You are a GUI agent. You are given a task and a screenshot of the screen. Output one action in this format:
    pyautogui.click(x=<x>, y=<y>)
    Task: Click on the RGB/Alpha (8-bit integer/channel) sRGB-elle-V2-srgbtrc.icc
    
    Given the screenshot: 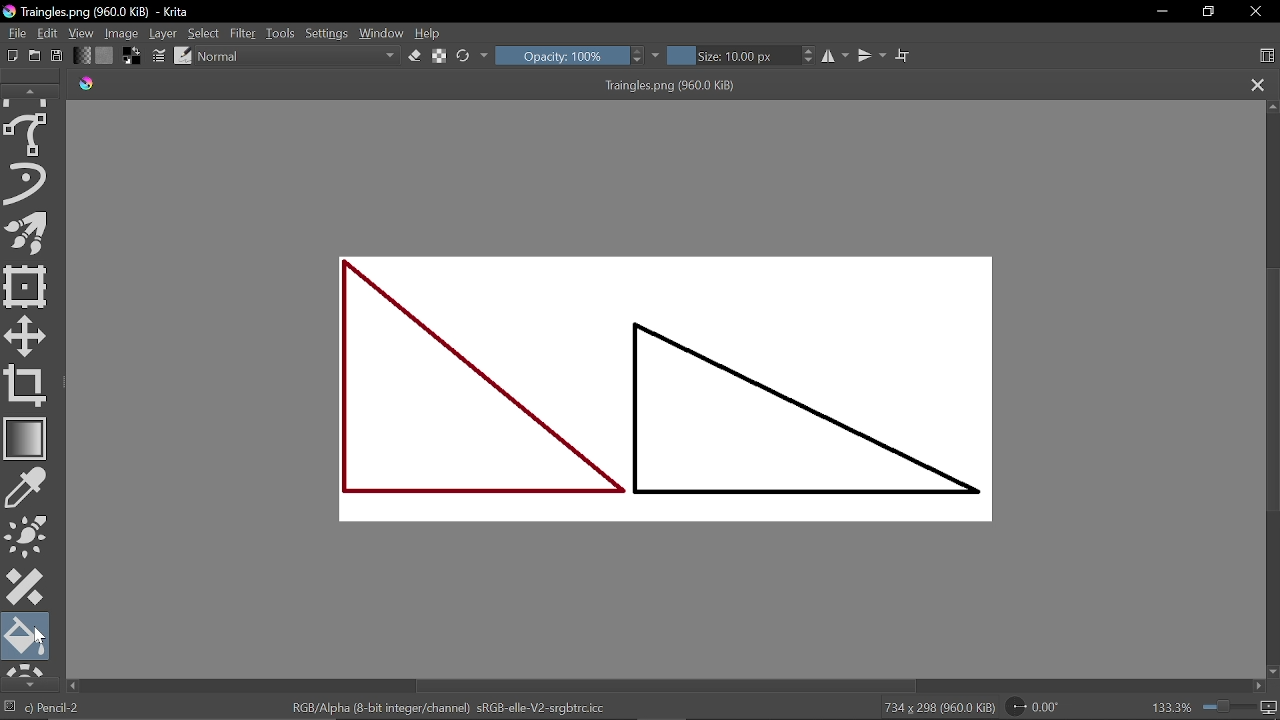 What is the action you would take?
    pyautogui.click(x=444, y=709)
    